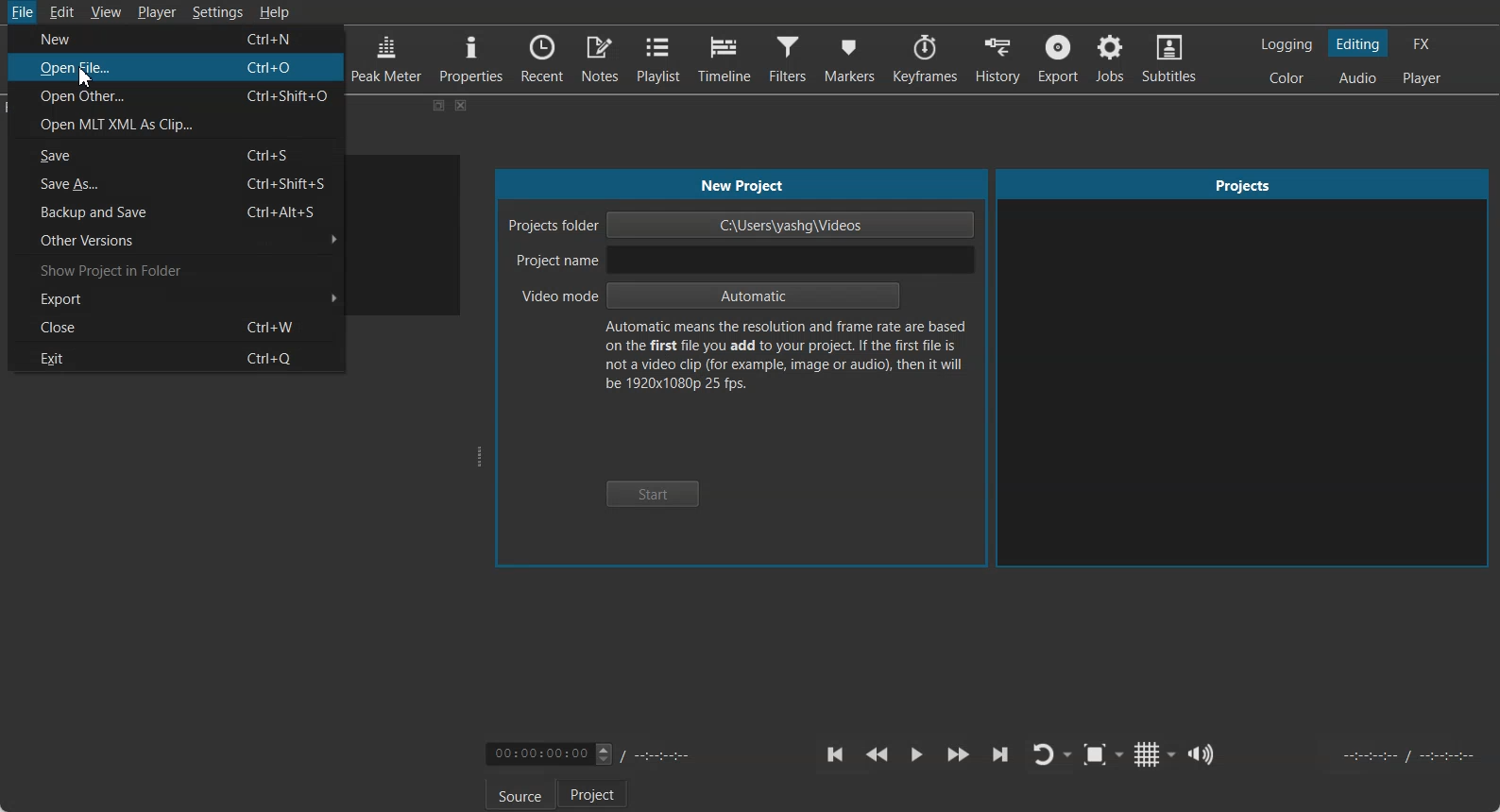  Describe the element at coordinates (108, 212) in the screenshot. I see `Backup and Save` at that location.